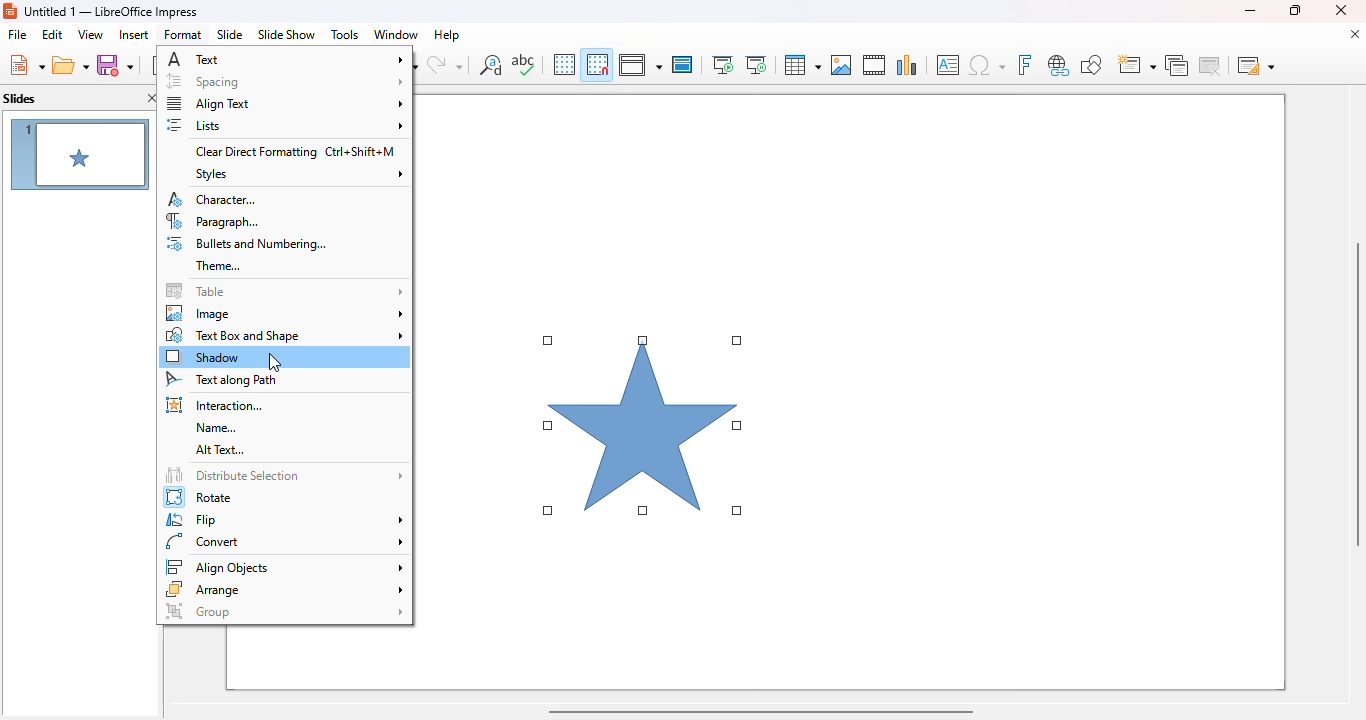 The height and width of the screenshot is (720, 1366). What do you see at coordinates (874, 64) in the screenshot?
I see `insert audio or video` at bounding box center [874, 64].